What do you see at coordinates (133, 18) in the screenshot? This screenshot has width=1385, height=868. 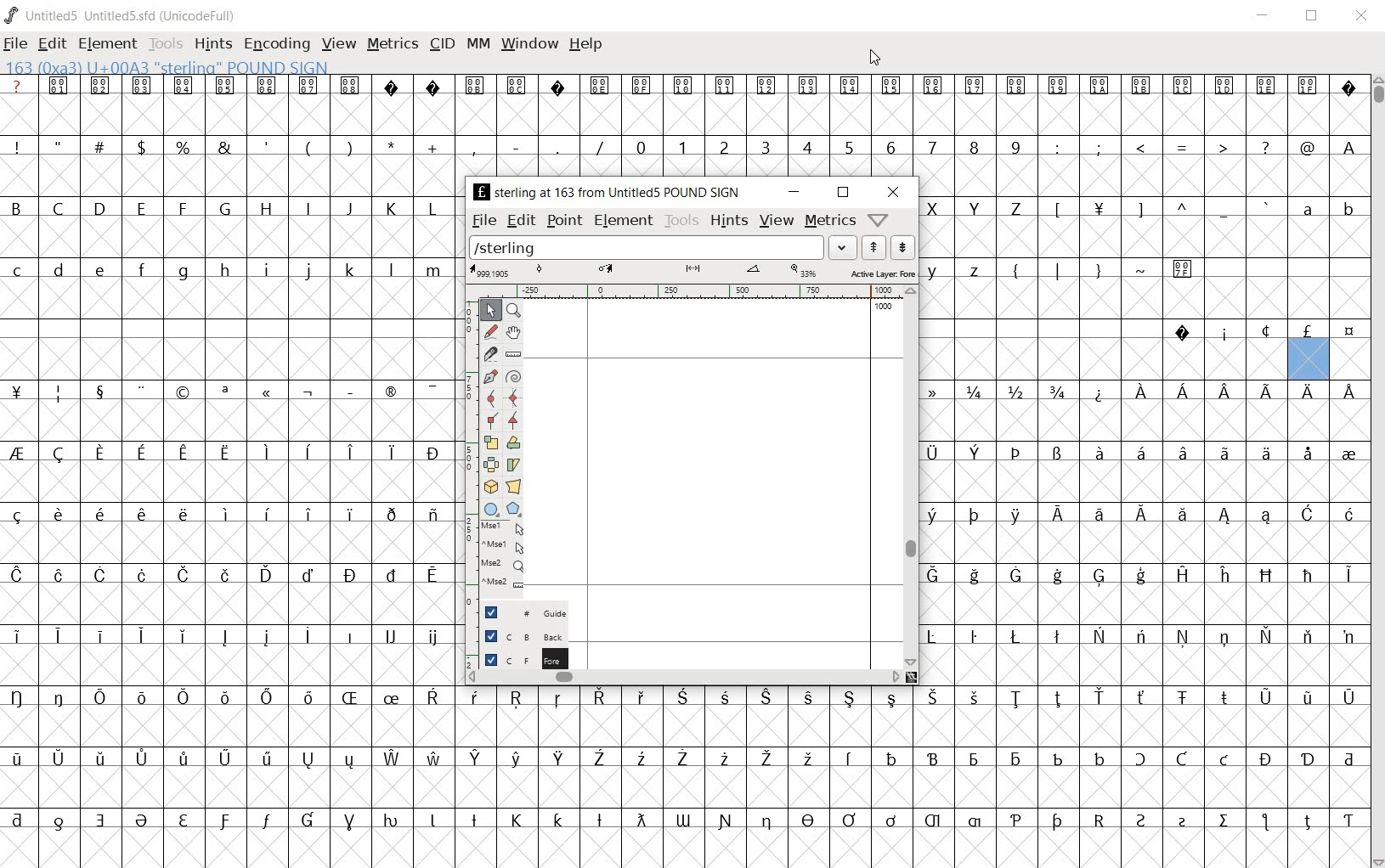 I see `Untitled5 Untitled5.sfd (UnicodeFull)` at bounding box center [133, 18].